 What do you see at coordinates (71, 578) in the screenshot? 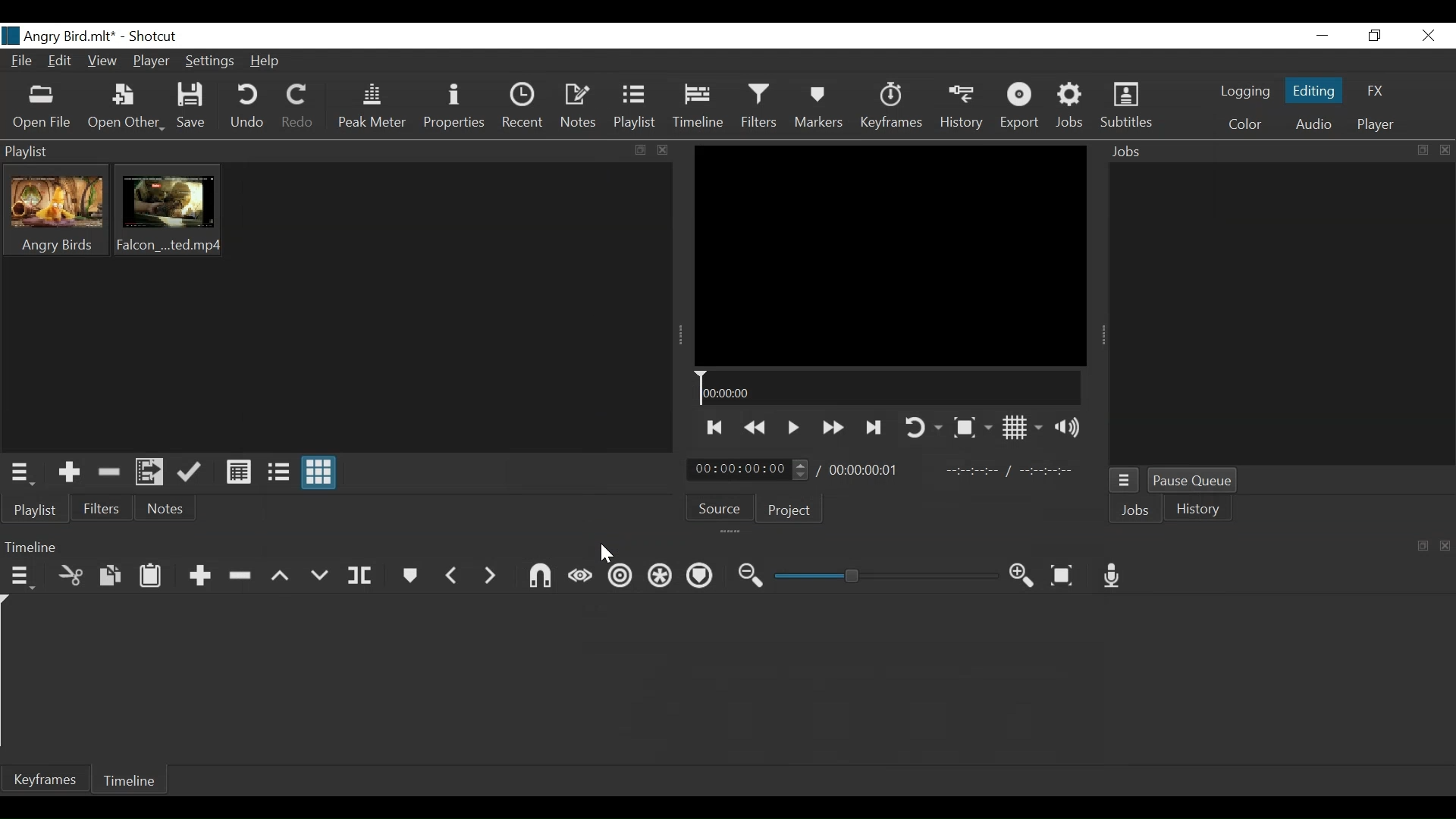
I see `Cut` at bounding box center [71, 578].